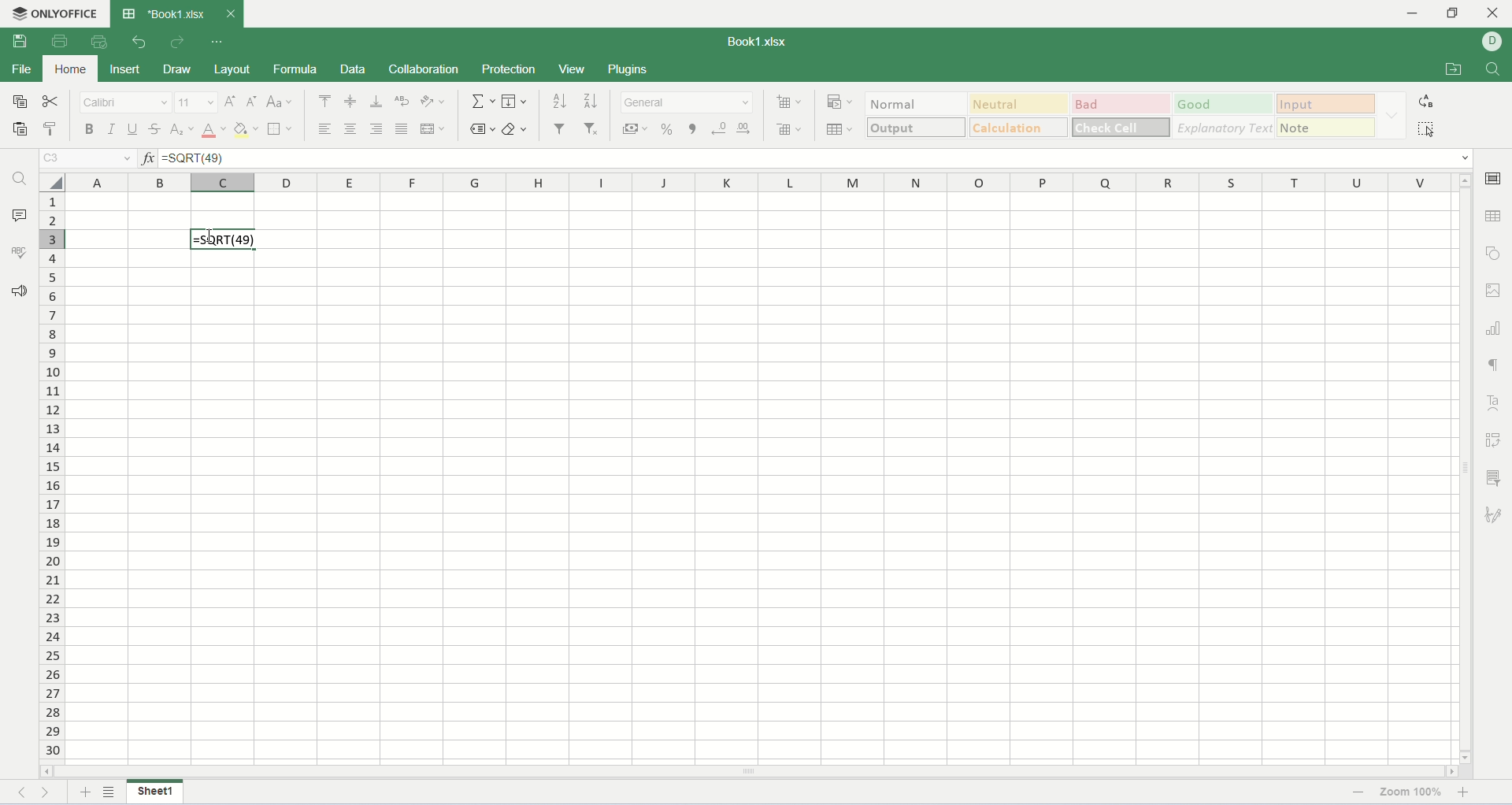 The height and width of the screenshot is (805, 1512). I want to click on bold, so click(88, 129).